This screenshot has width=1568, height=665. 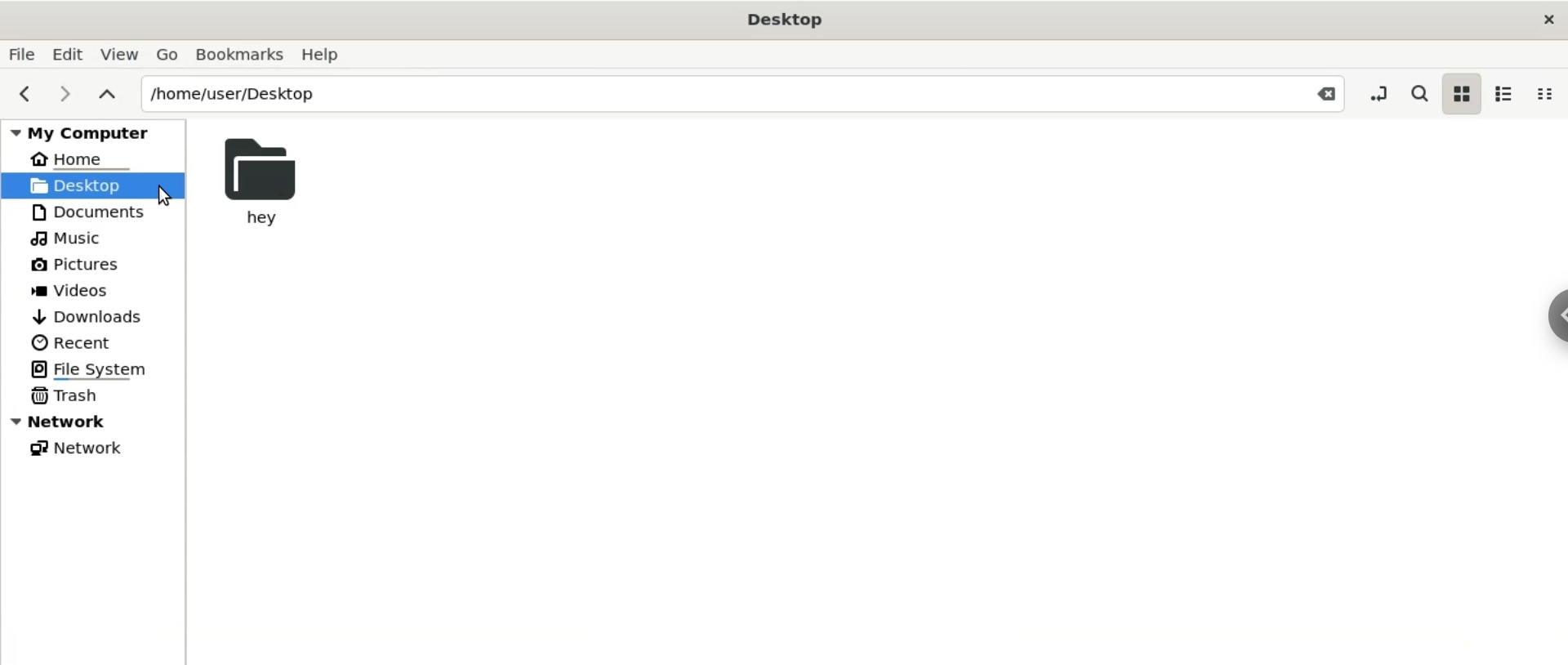 What do you see at coordinates (1545, 94) in the screenshot?
I see `compact view` at bounding box center [1545, 94].